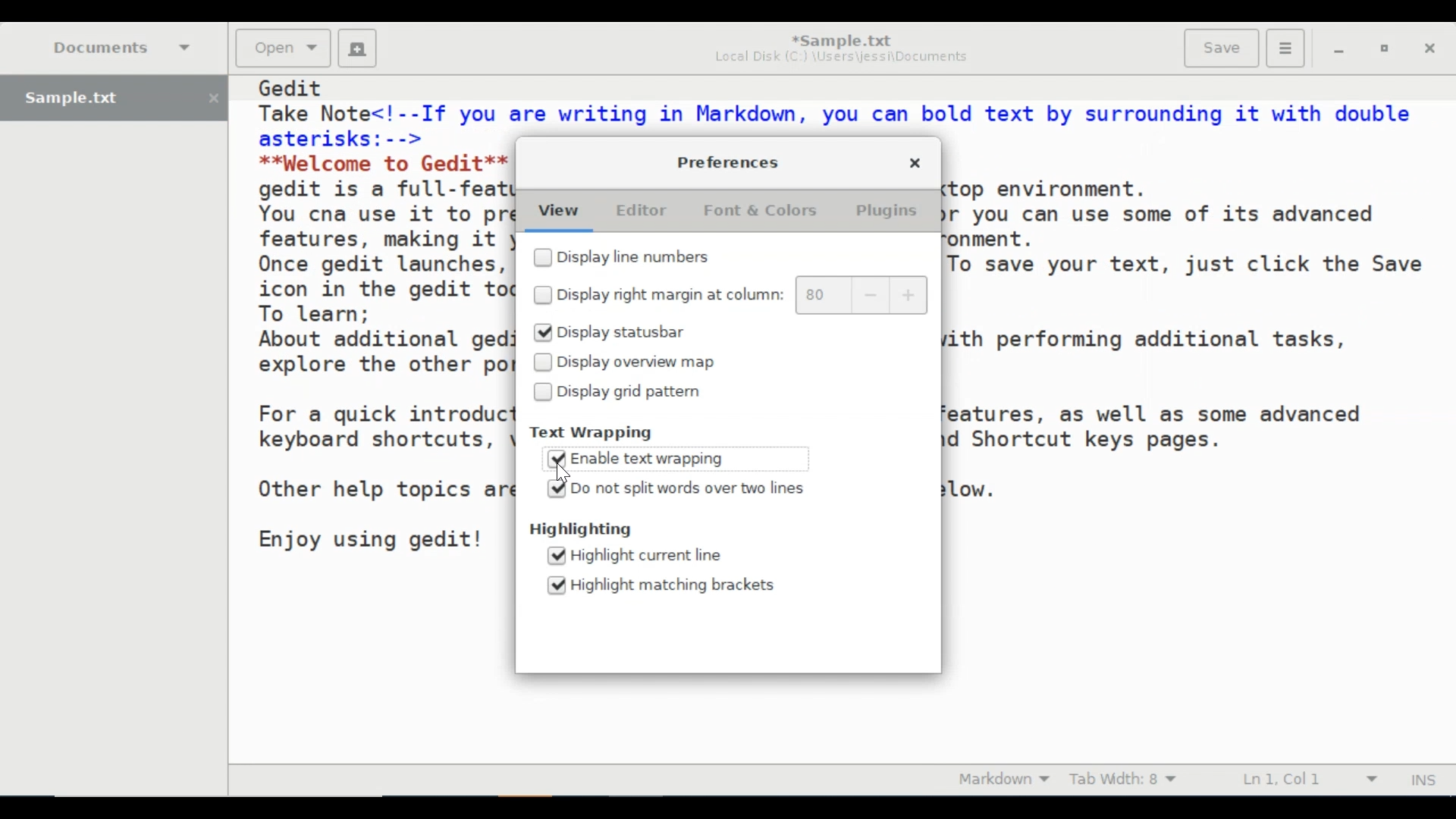 The image size is (1456, 819). What do you see at coordinates (1129, 778) in the screenshot?
I see `Tab Width` at bounding box center [1129, 778].